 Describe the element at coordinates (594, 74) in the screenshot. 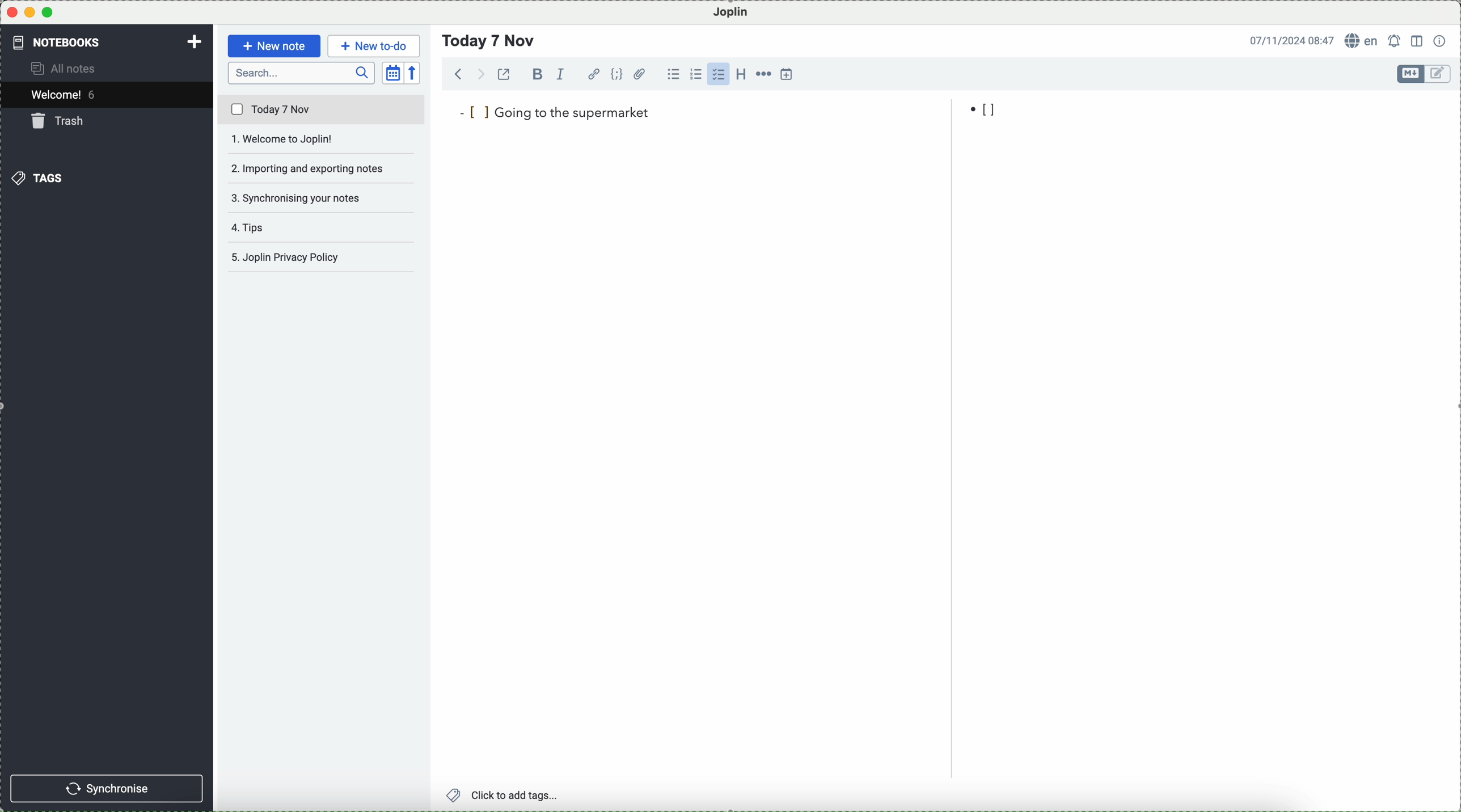

I see `hyperlink` at that location.